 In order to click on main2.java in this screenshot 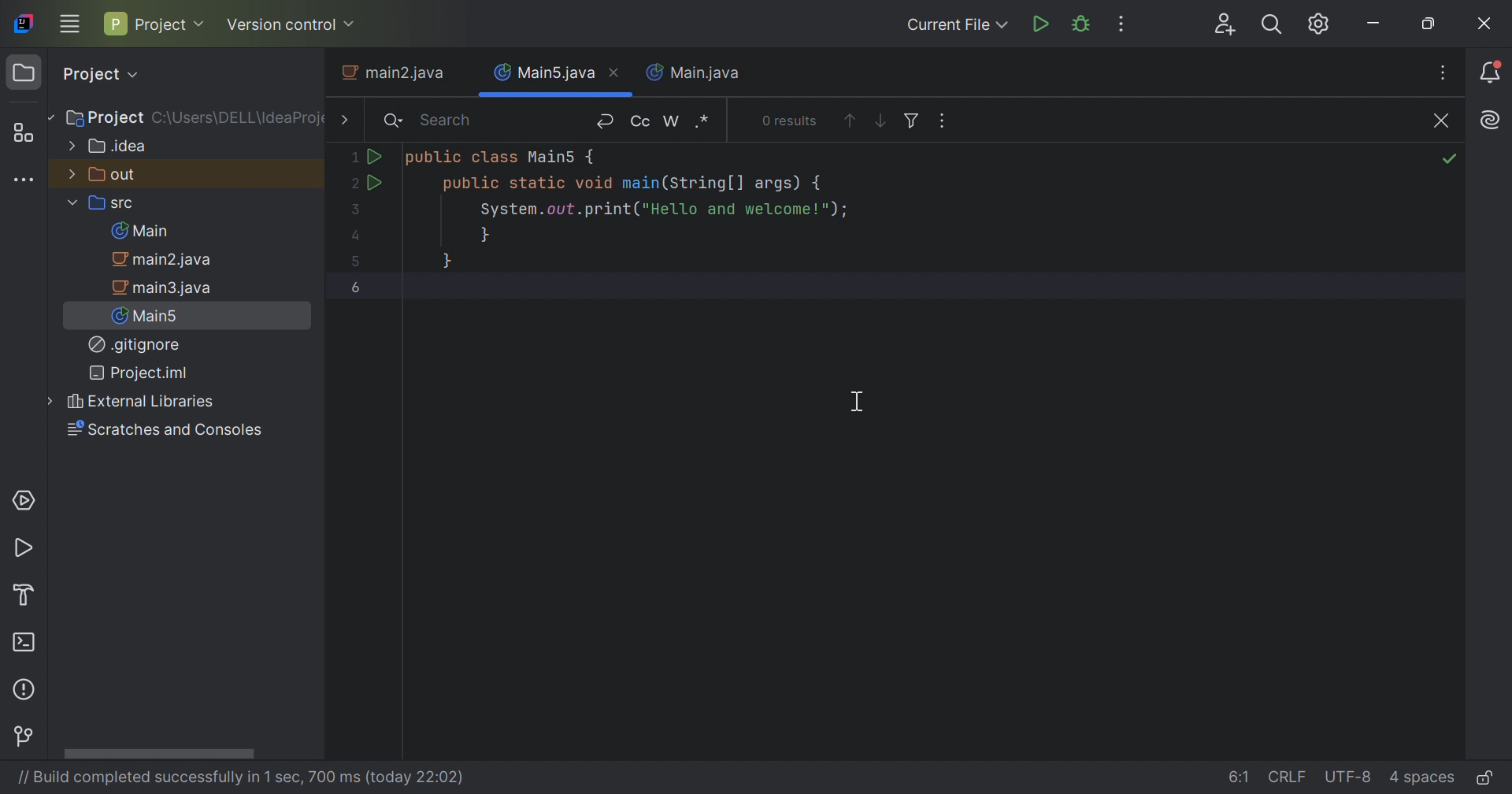, I will do `click(397, 73)`.